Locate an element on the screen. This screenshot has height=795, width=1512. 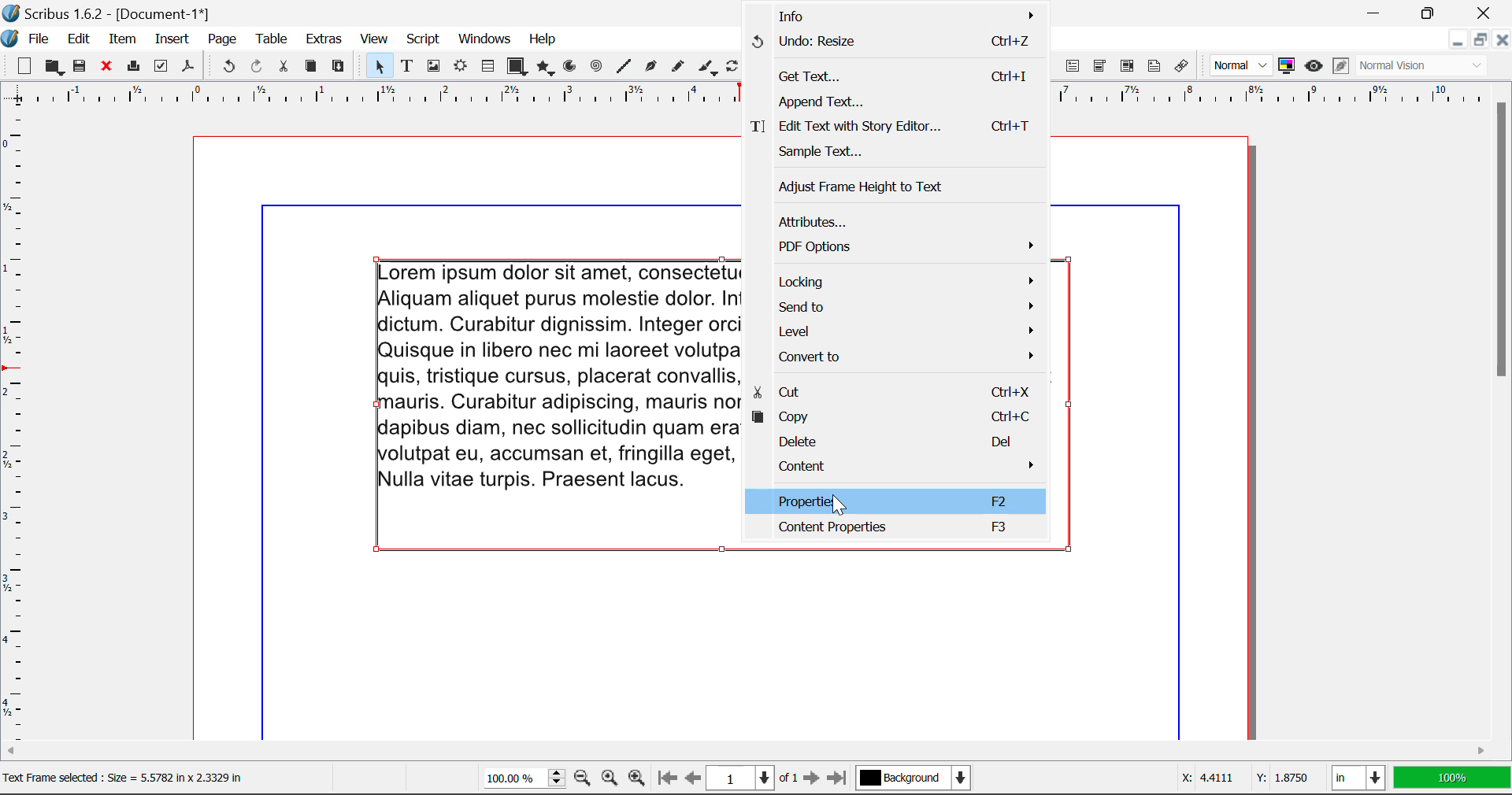
Undo is located at coordinates (228, 68).